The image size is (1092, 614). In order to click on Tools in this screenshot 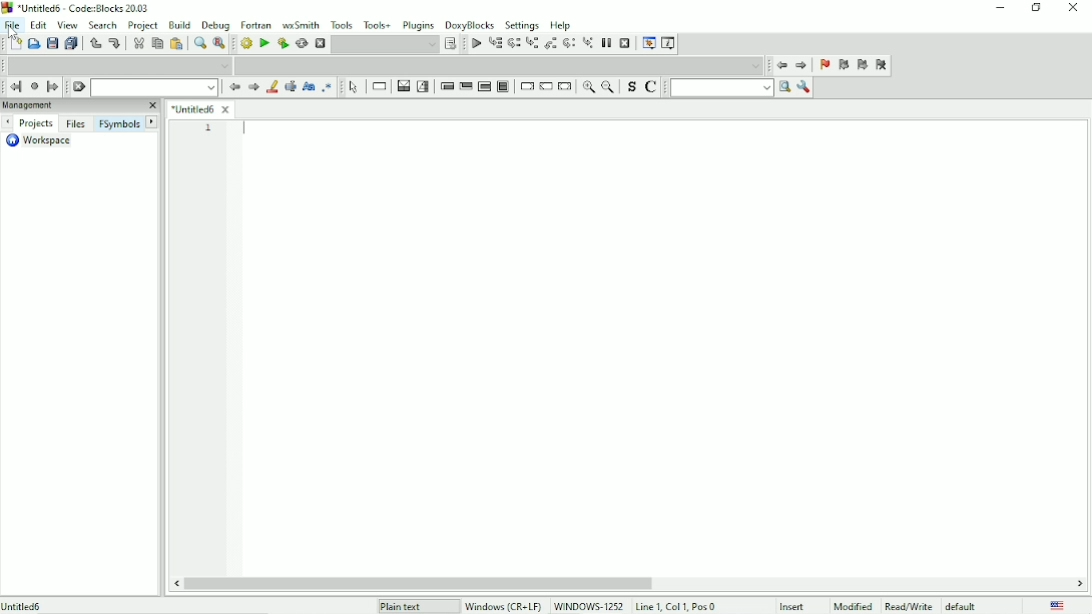, I will do `click(341, 24)`.